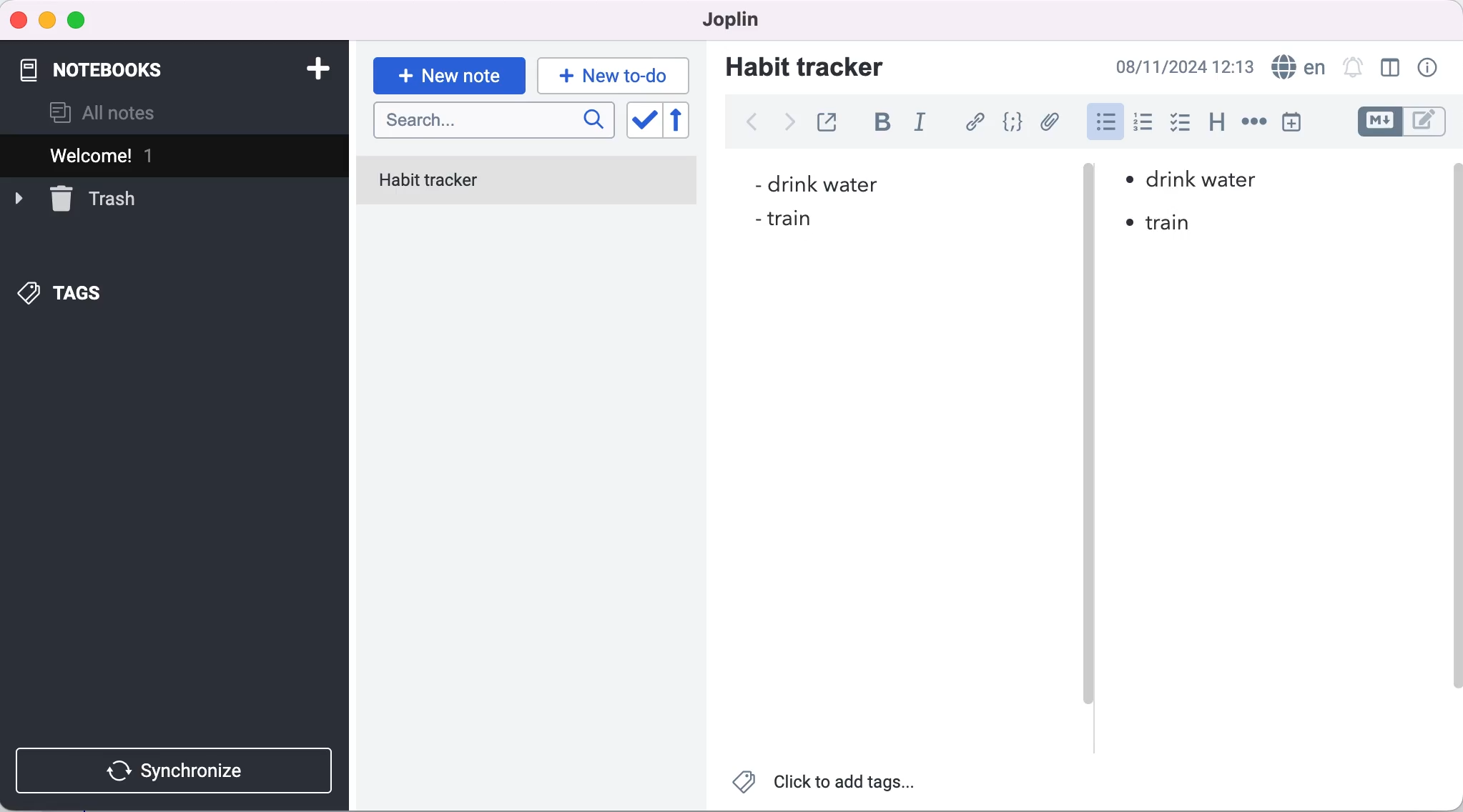 This screenshot has height=812, width=1463. Describe the element at coordinates (315, 67) in the screenshot. I see `add notebook` at that location.